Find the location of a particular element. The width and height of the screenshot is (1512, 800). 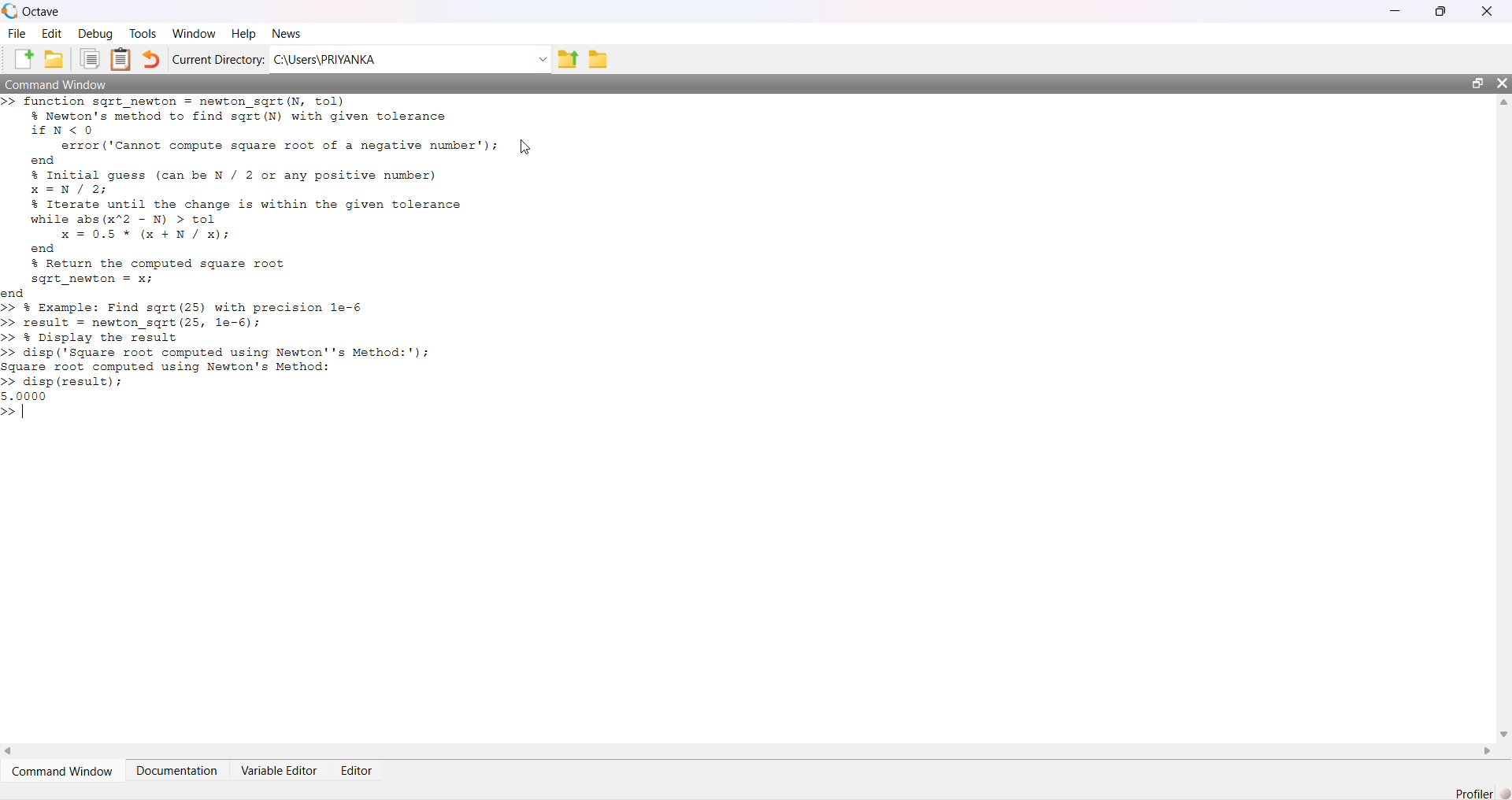

Dropdown is located at coordinates (539, 58).